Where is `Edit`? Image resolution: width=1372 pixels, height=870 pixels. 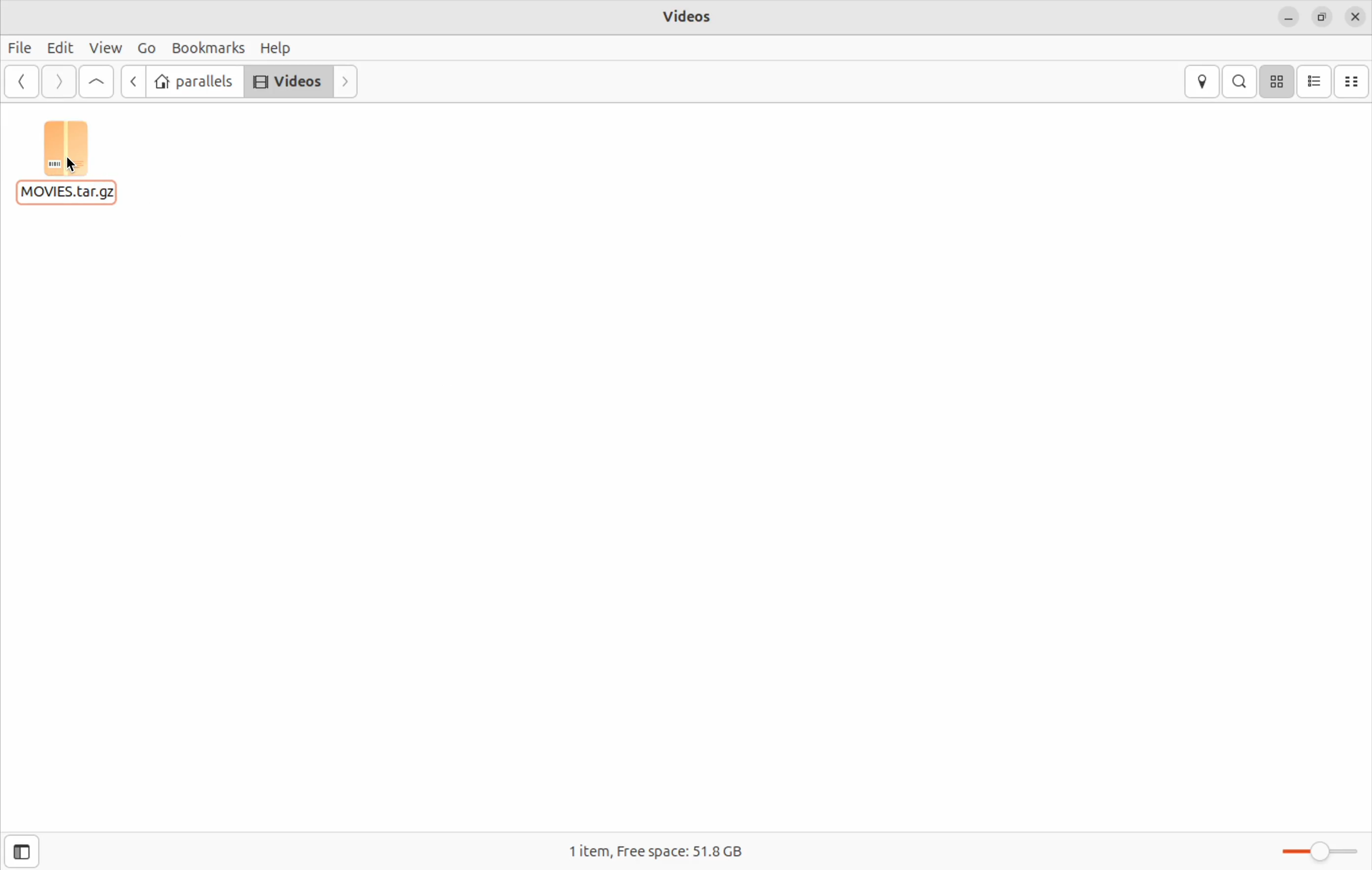 Edit is located at coordinates (57, 47).